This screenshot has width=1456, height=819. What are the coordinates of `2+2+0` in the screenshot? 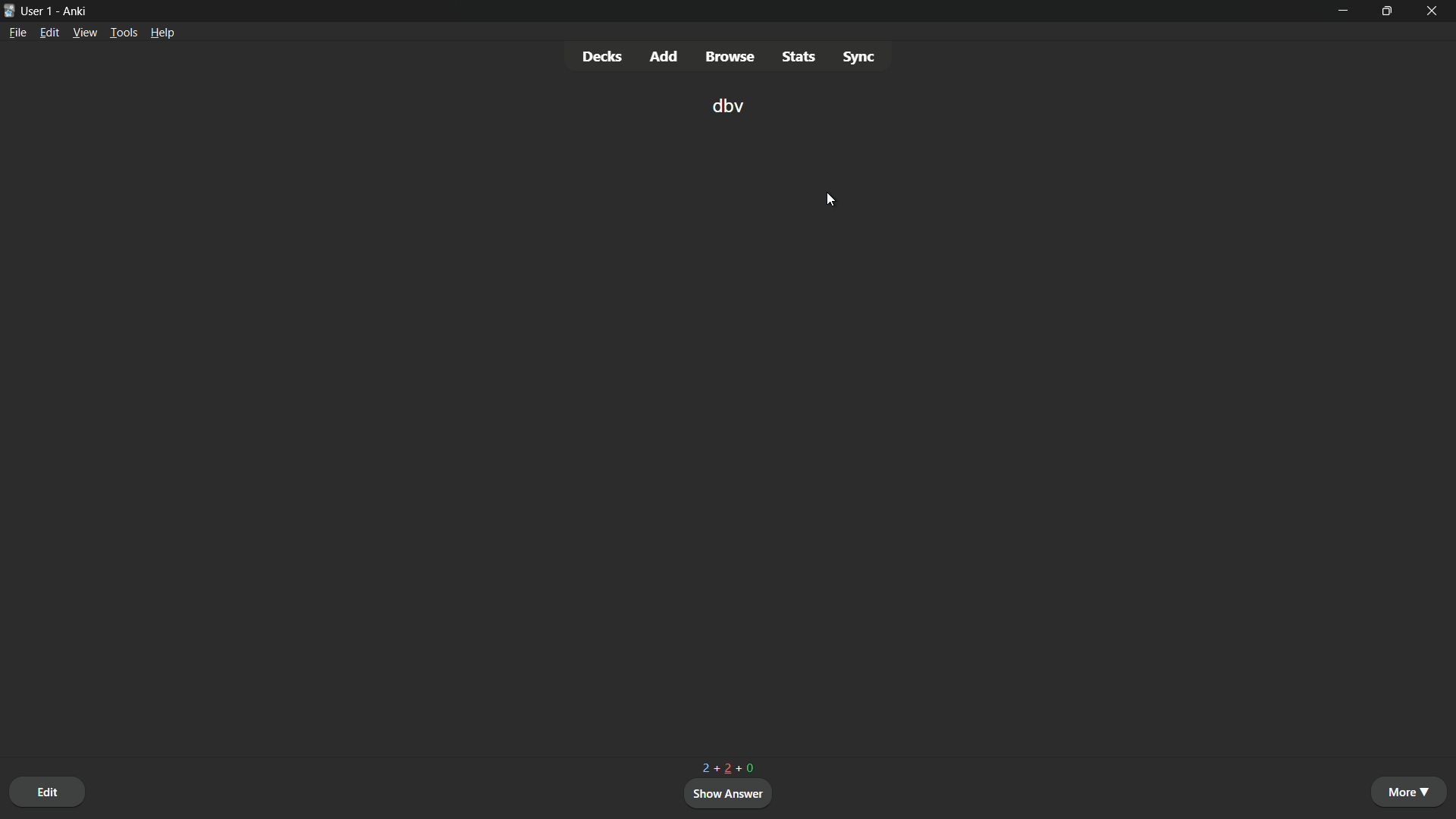 It's located at (729, 767).